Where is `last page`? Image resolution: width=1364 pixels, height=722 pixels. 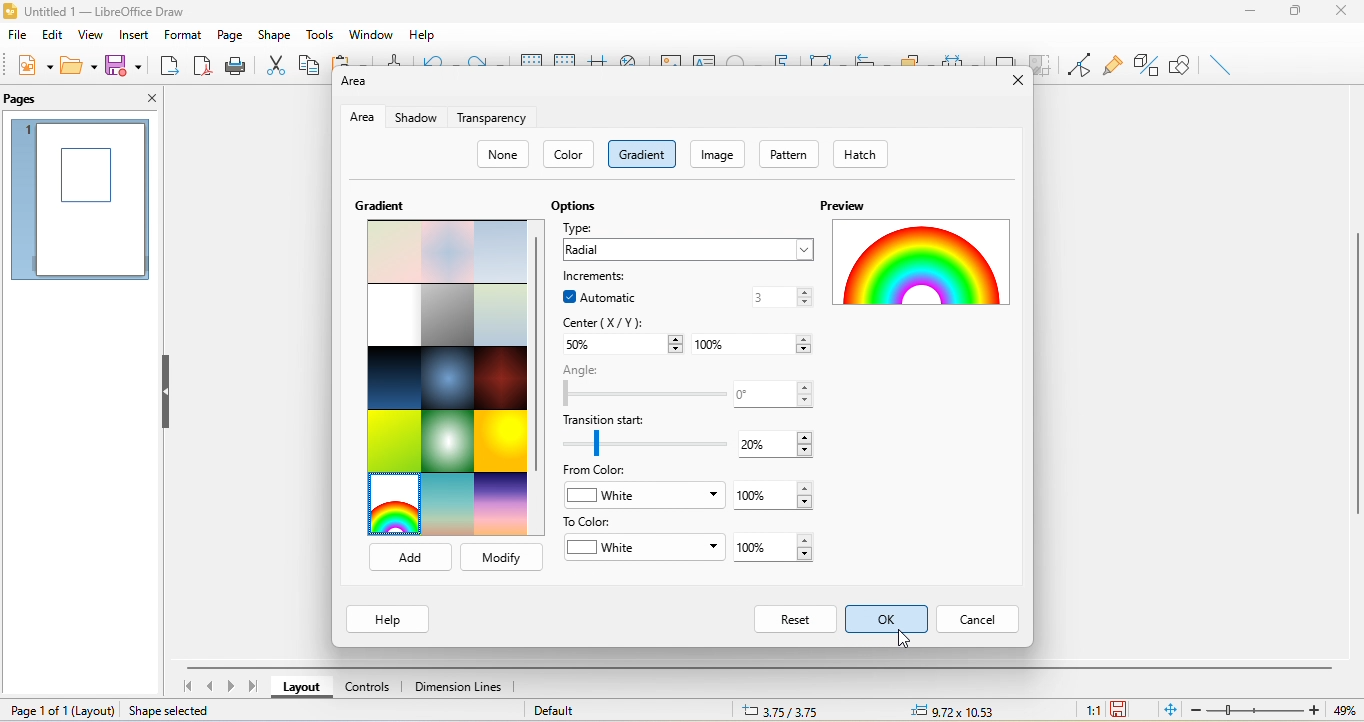 last page is located at coordinates (254, 687).